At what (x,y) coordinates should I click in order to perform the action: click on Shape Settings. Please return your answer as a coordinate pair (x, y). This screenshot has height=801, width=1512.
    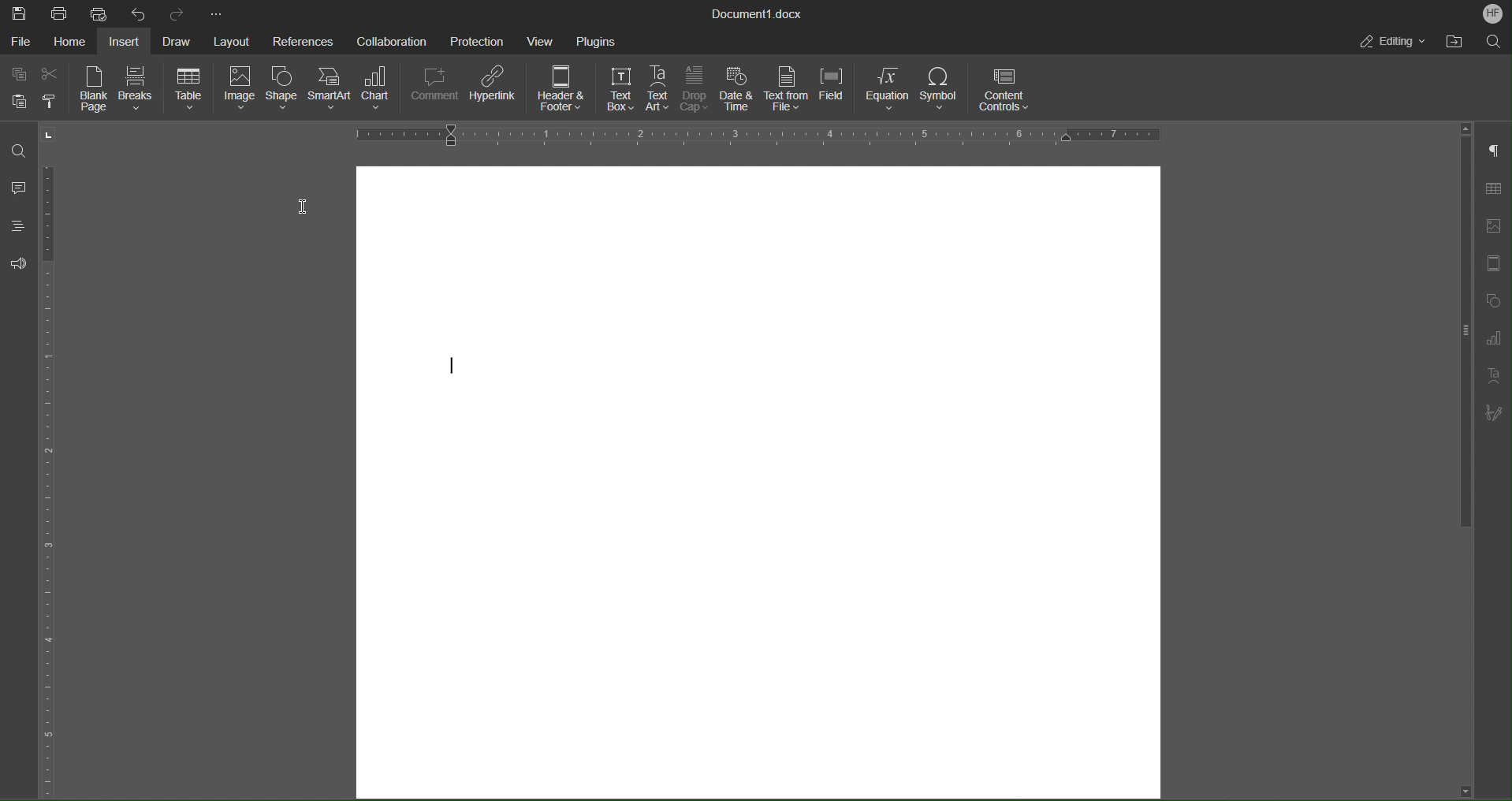
    Looking at the image, I should click on (1493, 302).